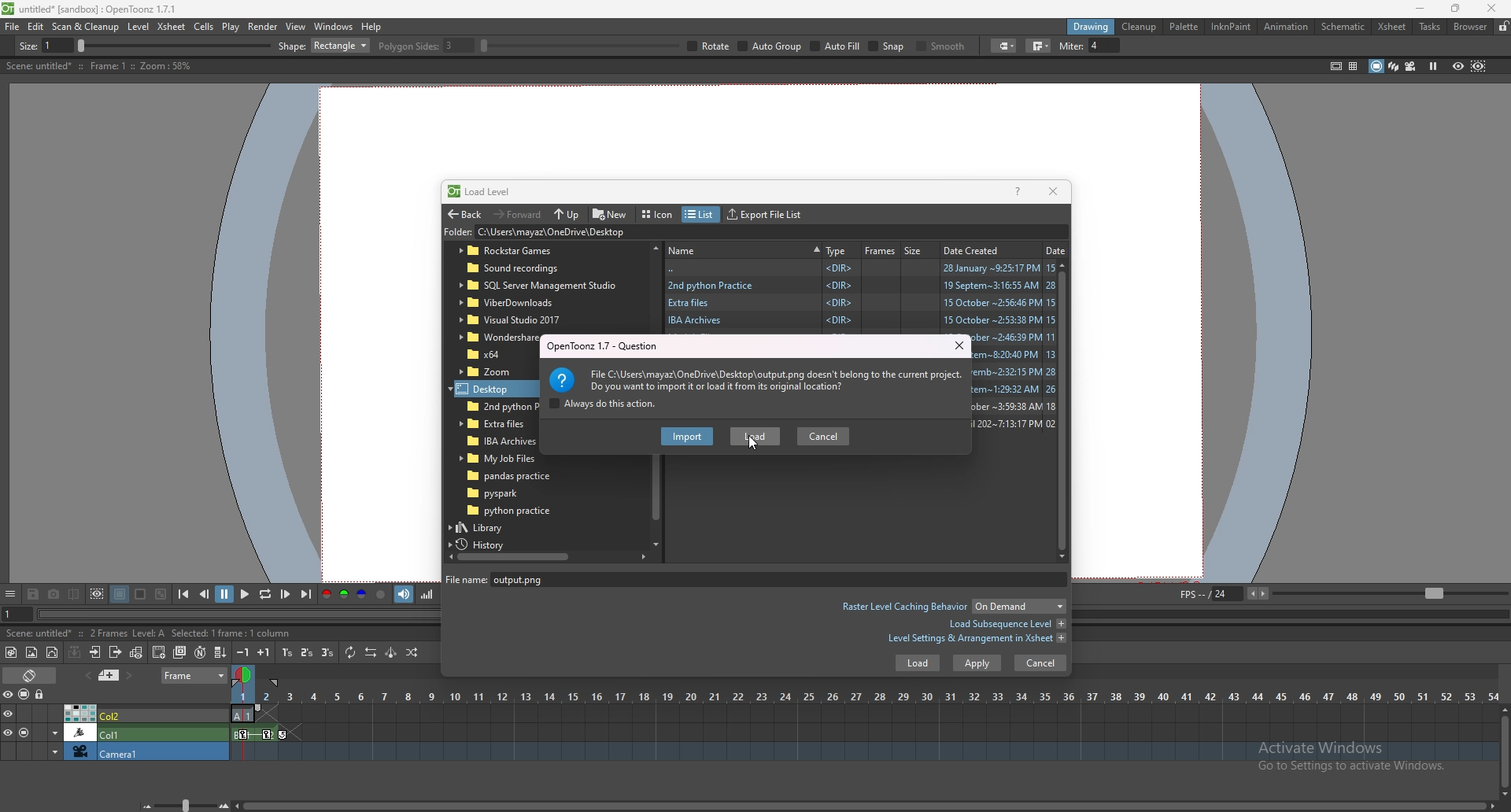  Describe the element at coordinates (182, 805) in the screenshot. I see `zoom` at that location.